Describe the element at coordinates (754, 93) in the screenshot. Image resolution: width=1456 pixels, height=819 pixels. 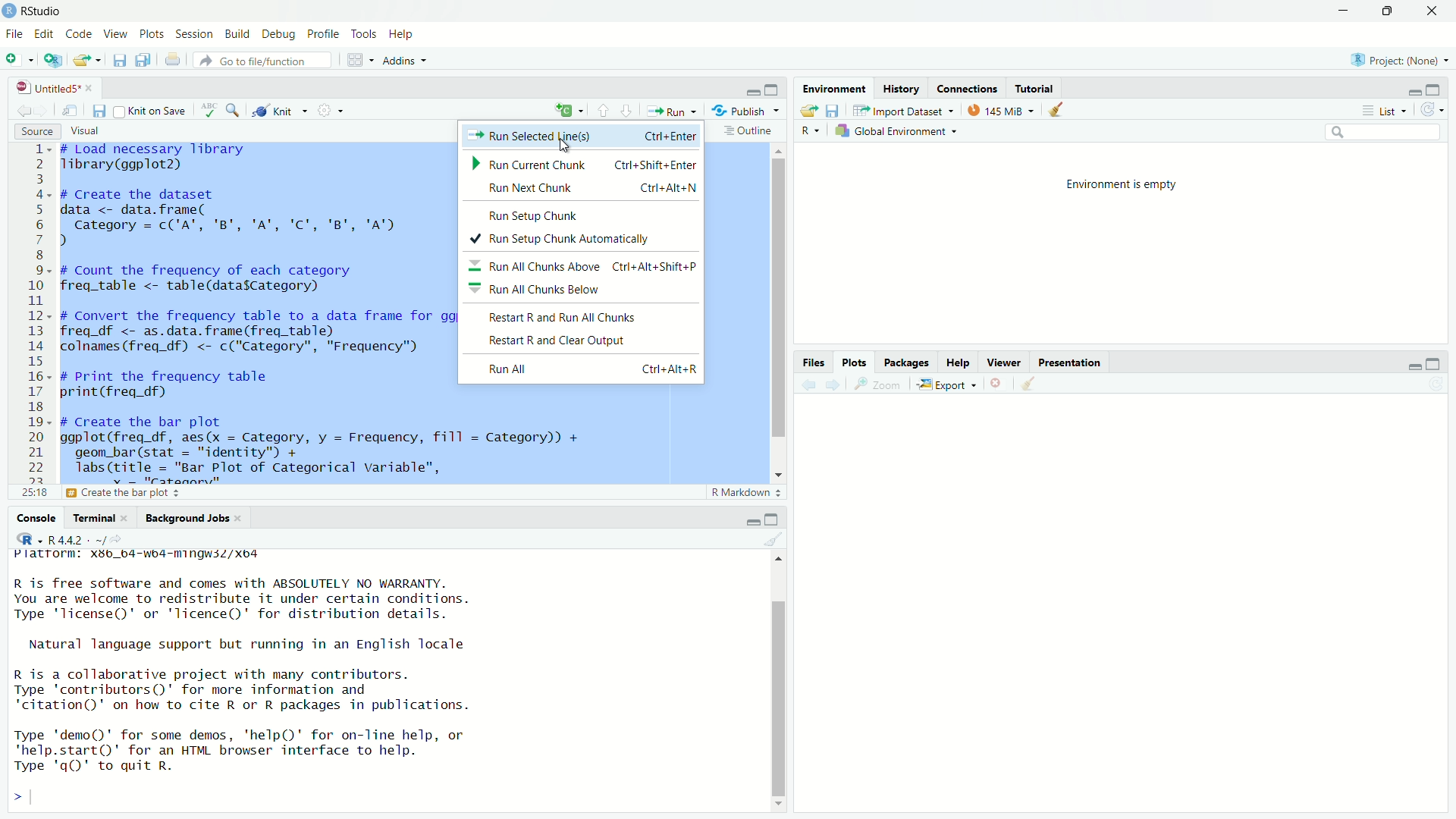
I see `minimize` at that location.